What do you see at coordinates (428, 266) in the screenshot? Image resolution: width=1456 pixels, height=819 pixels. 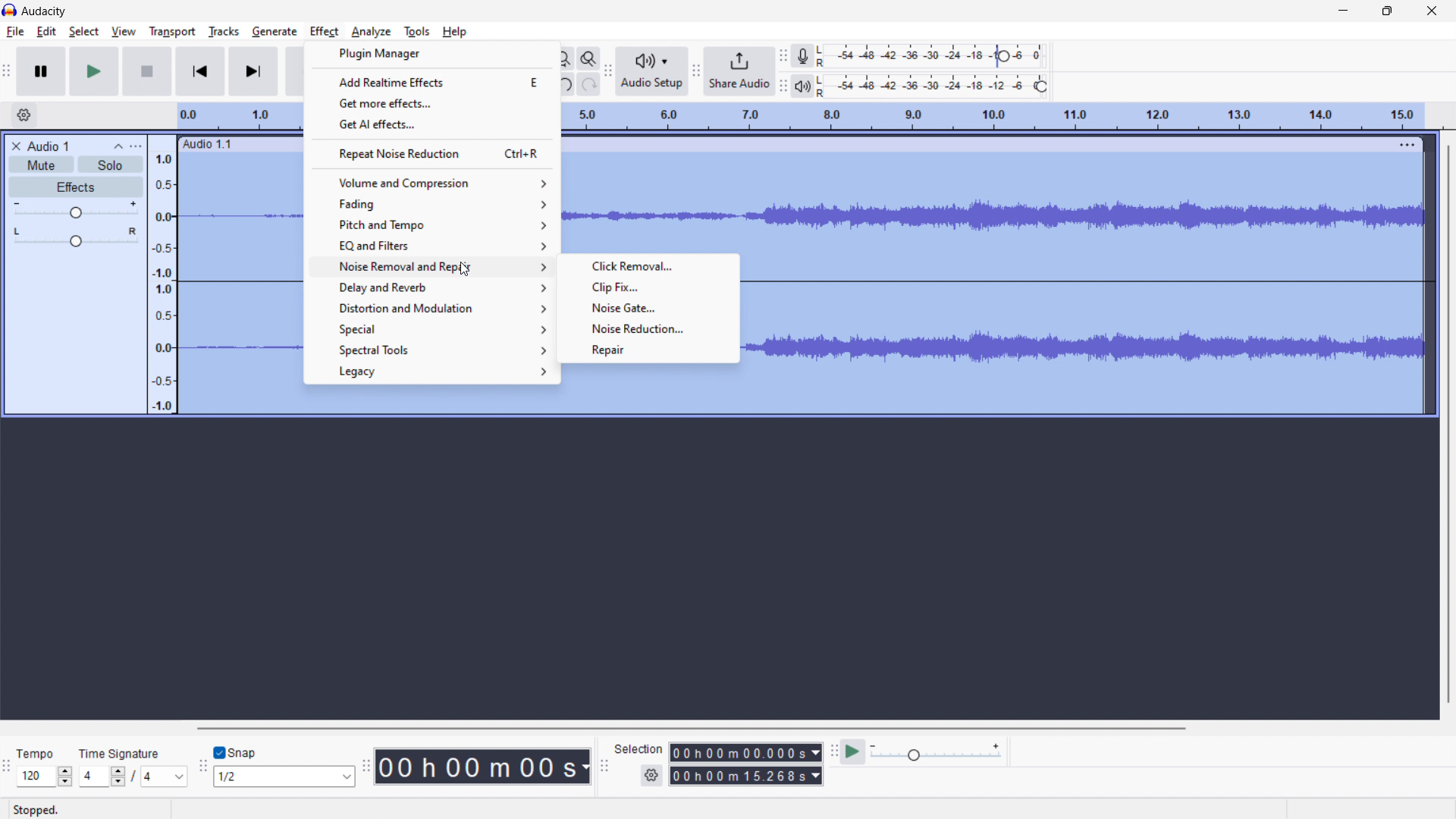 I see `noise removal and repair` at bounding box center [428, 266].